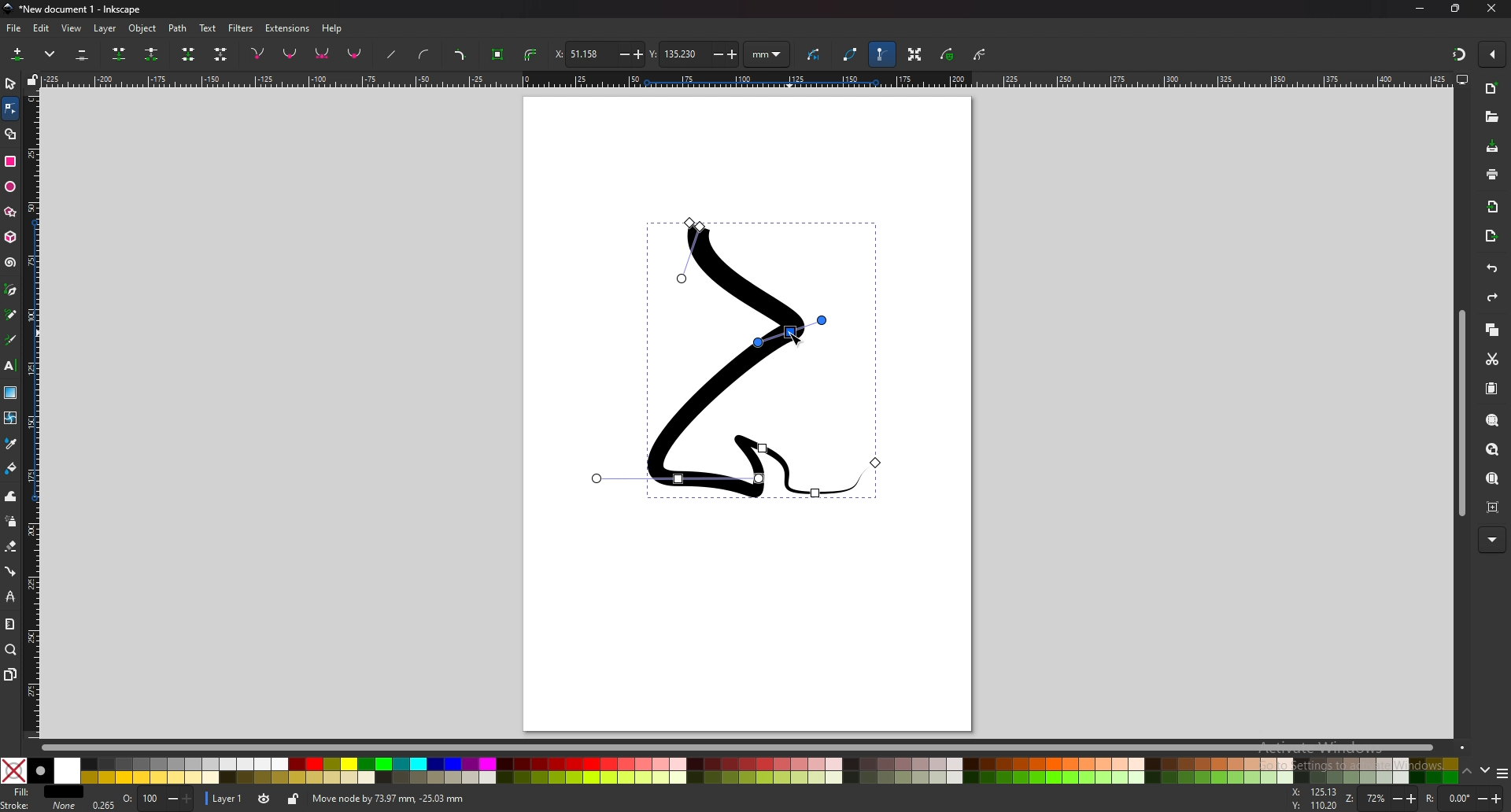 This screenshot has height=812, width=1511. Describe the element at coordinates (1492, 478) in the screenshot. I see `zoom page` at that location.